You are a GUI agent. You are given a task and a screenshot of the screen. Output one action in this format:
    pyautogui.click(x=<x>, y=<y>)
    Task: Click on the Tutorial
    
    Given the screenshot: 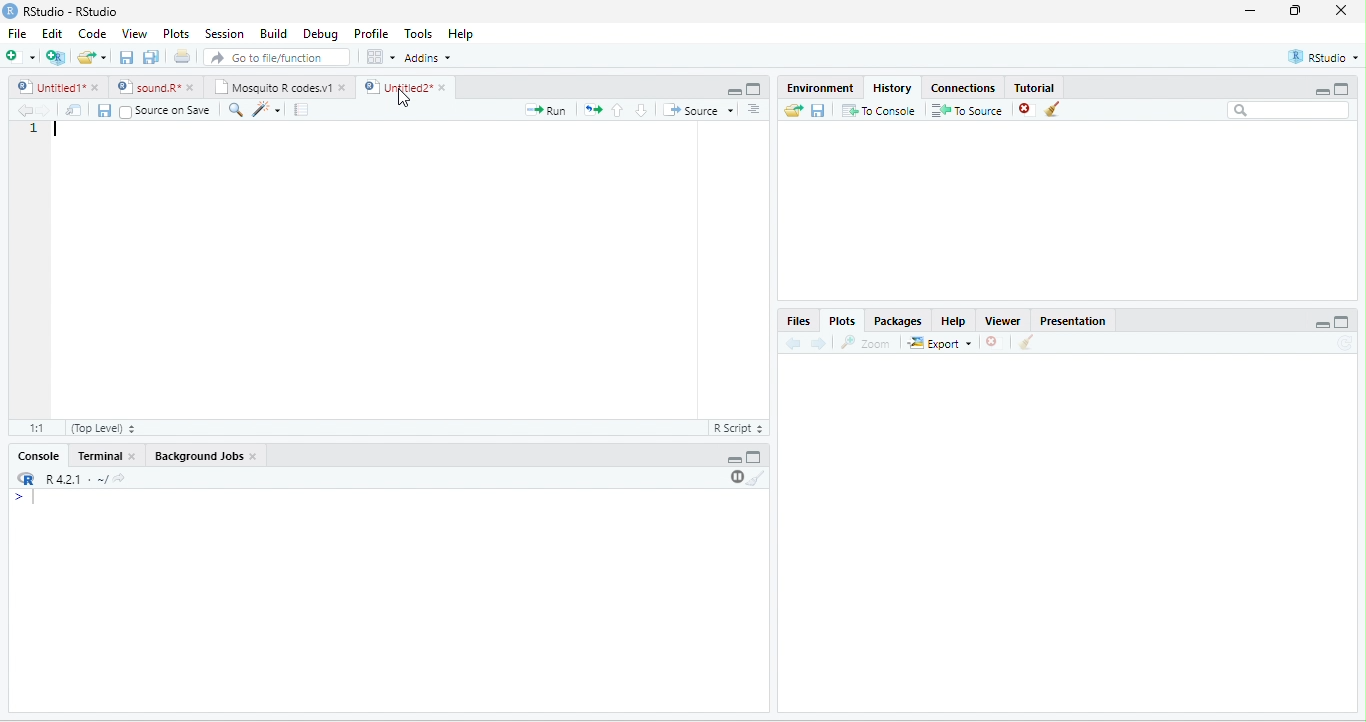 What is the action you would take?
    pyautogui.click(x=1035, y=88)
    